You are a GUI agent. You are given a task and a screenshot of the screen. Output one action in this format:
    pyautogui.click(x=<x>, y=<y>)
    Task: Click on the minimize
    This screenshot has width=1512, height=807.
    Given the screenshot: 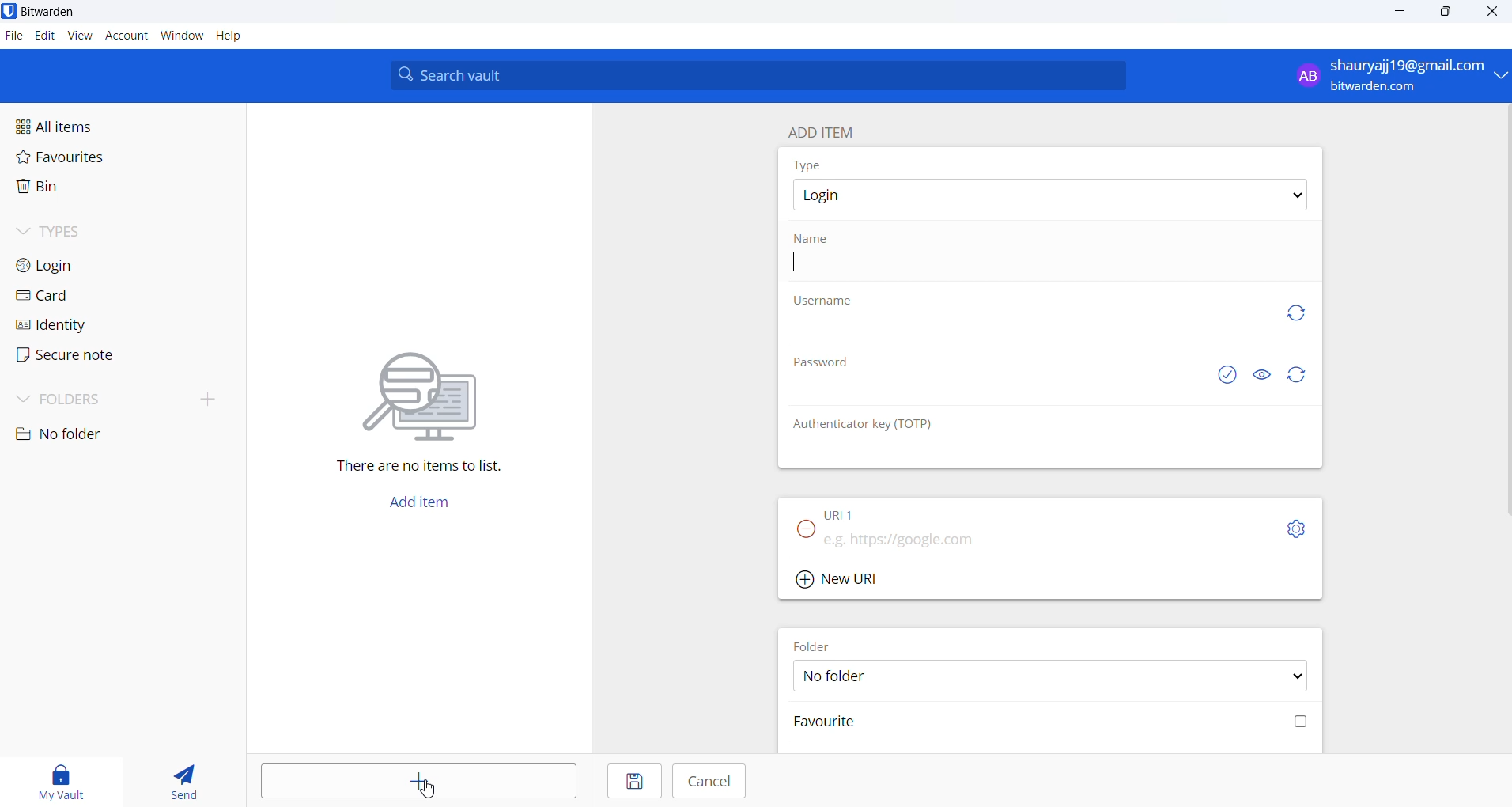 What is the action you would take?
    pyautogui.click(x=1402, y=13)
    